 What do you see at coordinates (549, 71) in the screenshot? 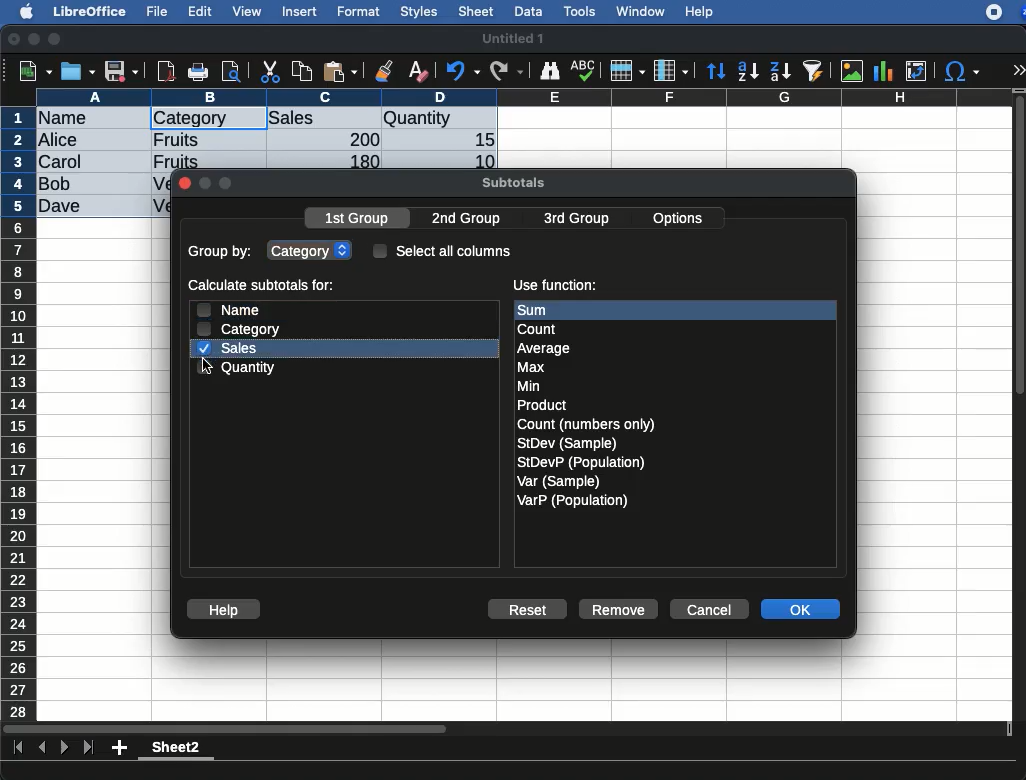
I see `finder` at bounding box center [549, 71].